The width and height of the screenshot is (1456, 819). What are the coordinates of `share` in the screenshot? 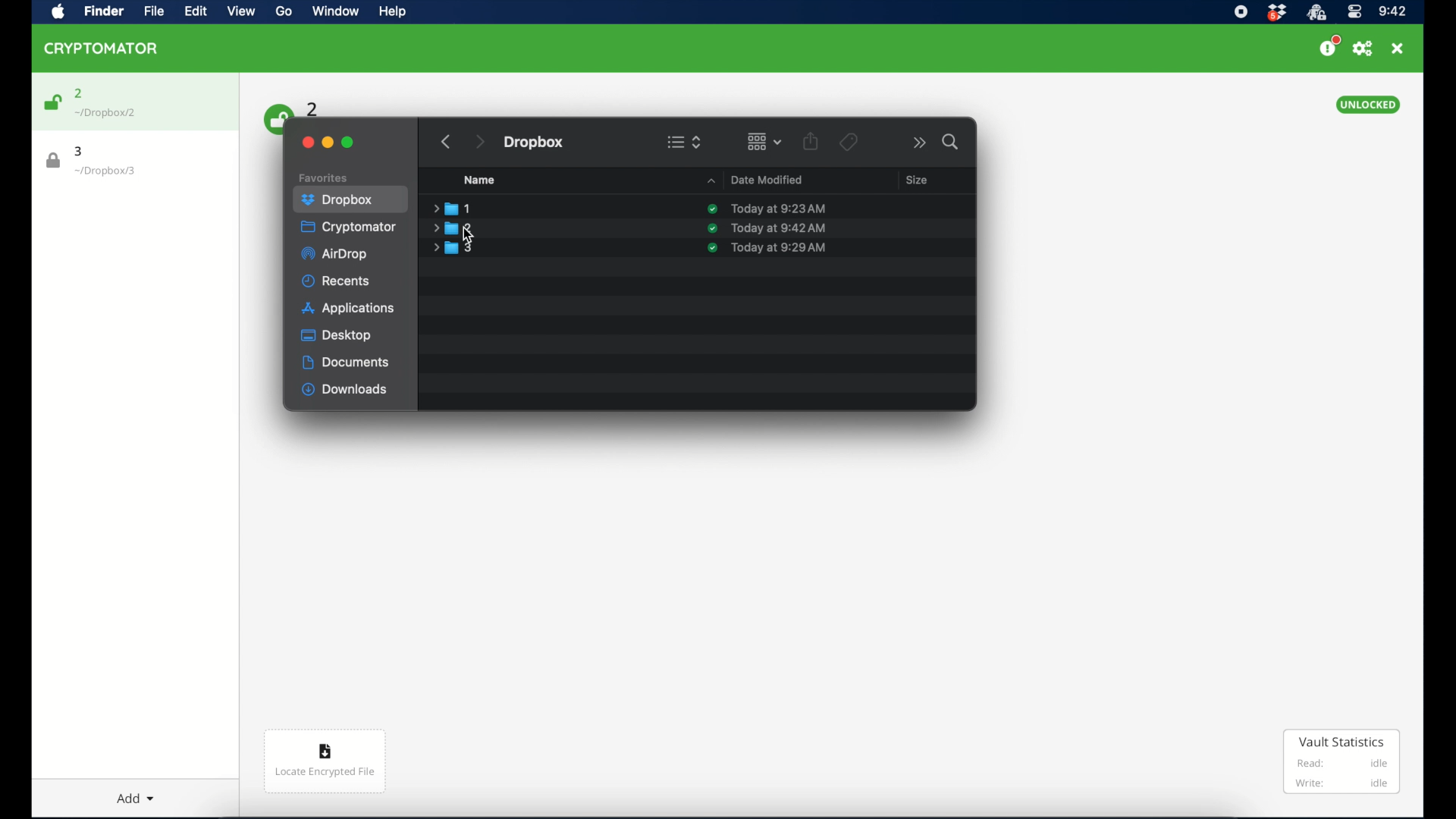 It's located at (811, 141).